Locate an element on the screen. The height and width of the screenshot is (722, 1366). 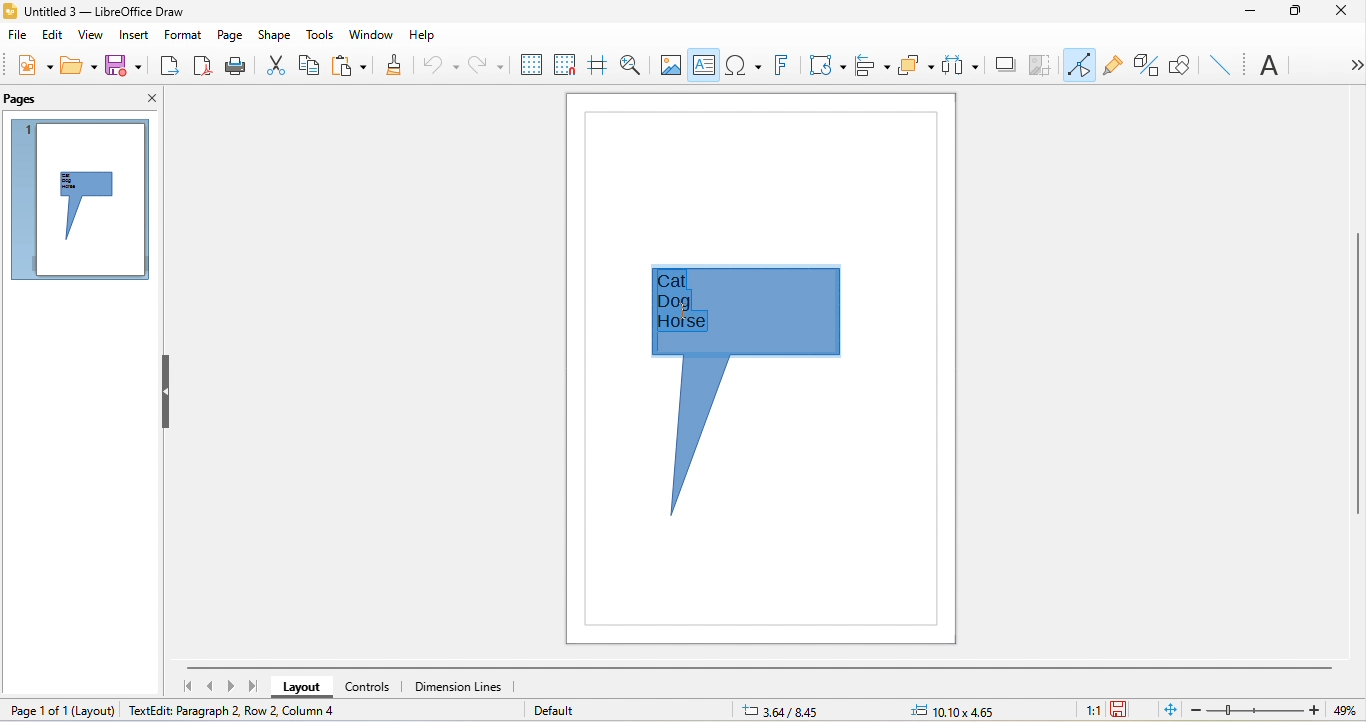
copy is located at coordinates (310, 65).